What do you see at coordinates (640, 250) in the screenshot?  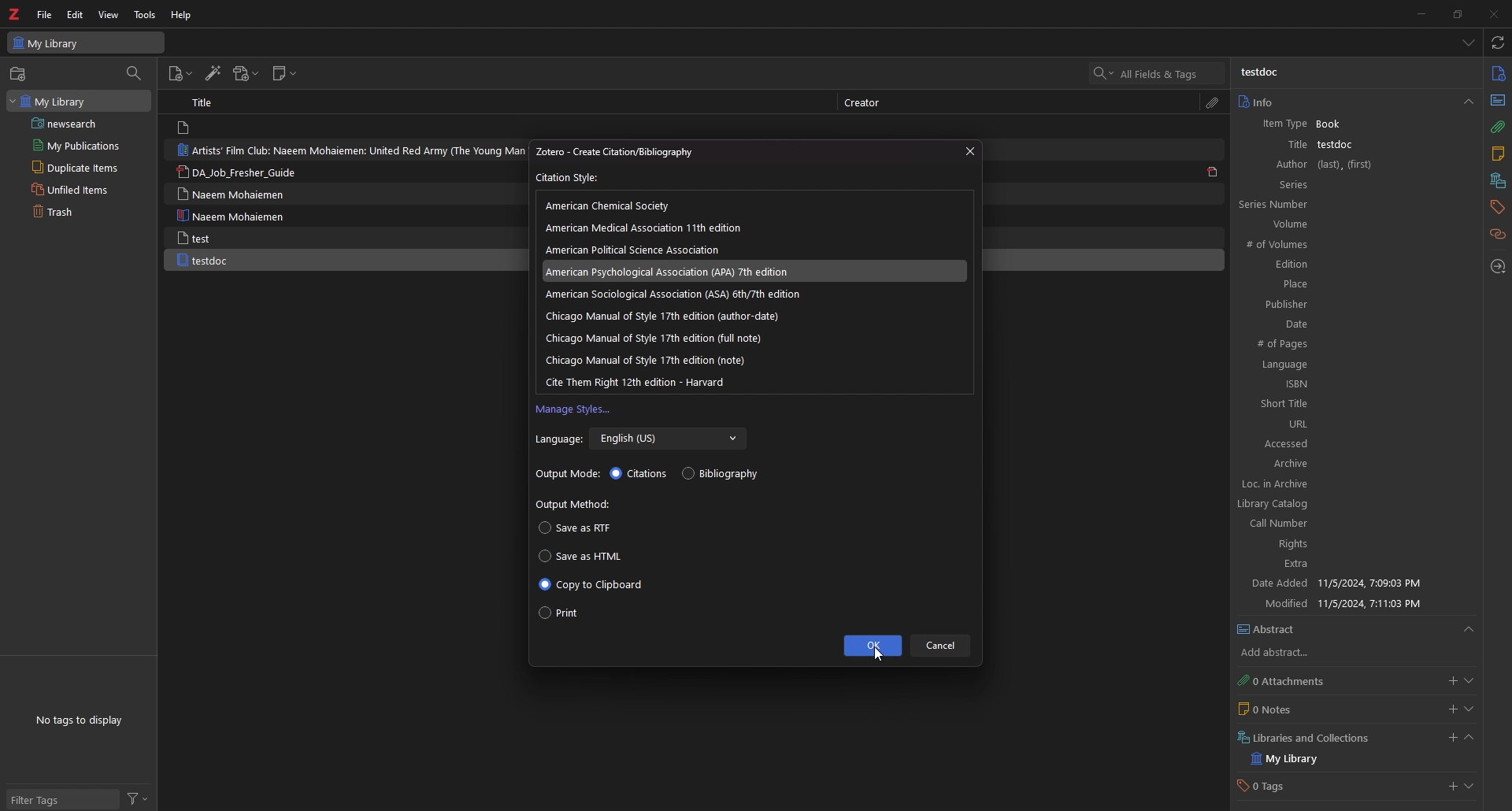 I see `american political science association` at bounding box center [640, 250].